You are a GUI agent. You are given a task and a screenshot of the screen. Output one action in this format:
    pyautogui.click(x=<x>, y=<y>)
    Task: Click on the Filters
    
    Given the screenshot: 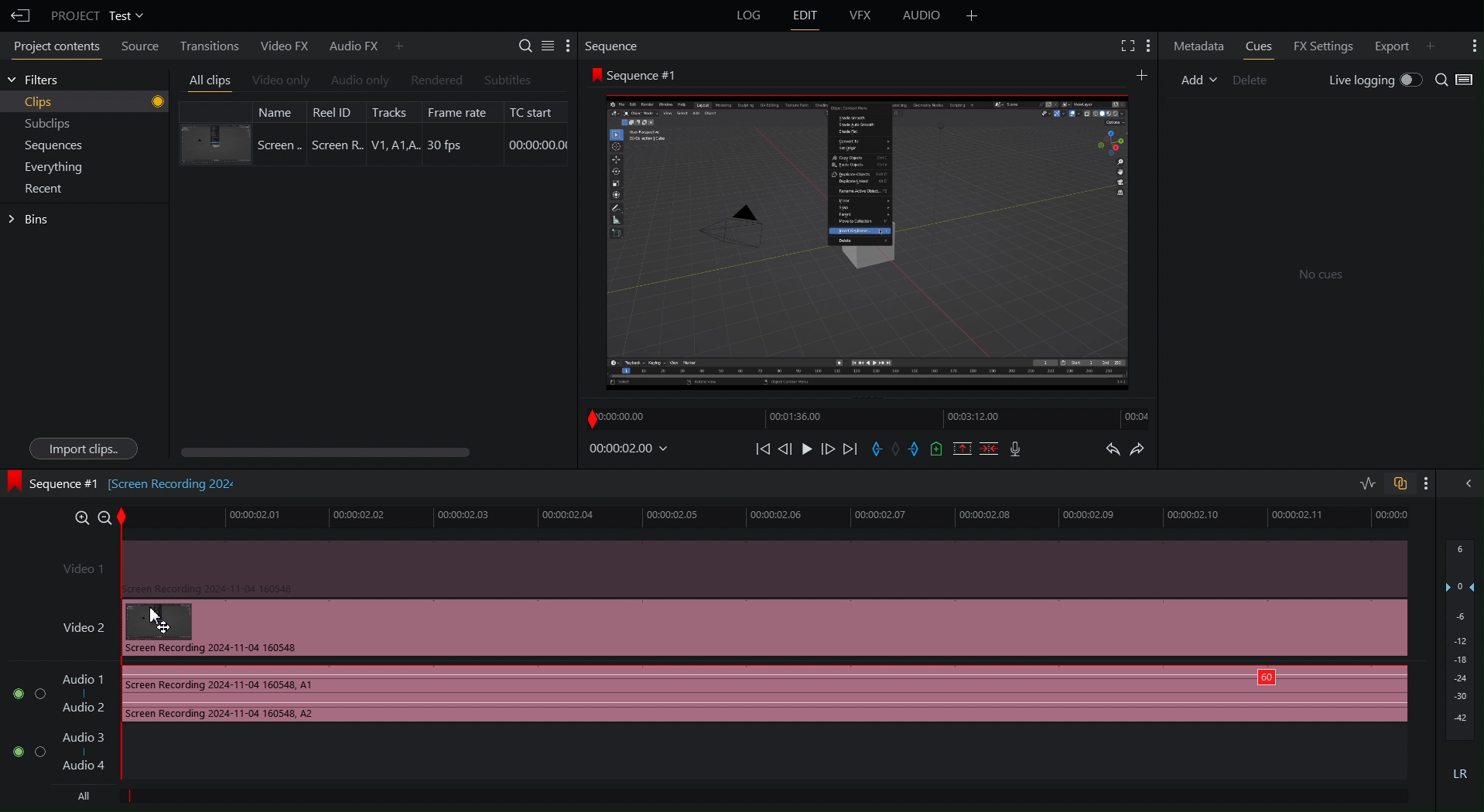 What is the action you would take?
    pyautogui.click(x=39, y=82)
    